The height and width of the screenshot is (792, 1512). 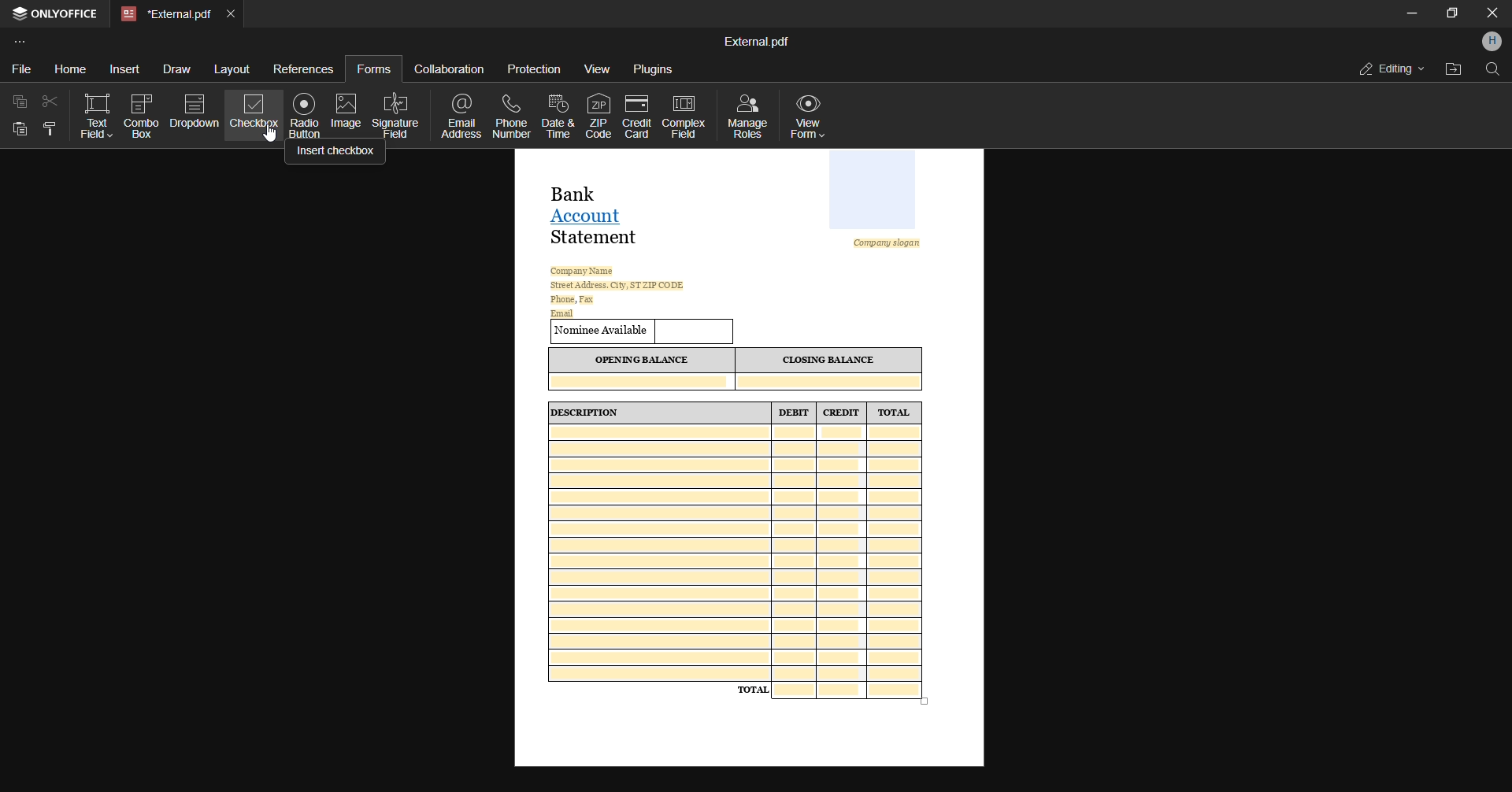 I want to click on protection, so click(x=535, y=70).